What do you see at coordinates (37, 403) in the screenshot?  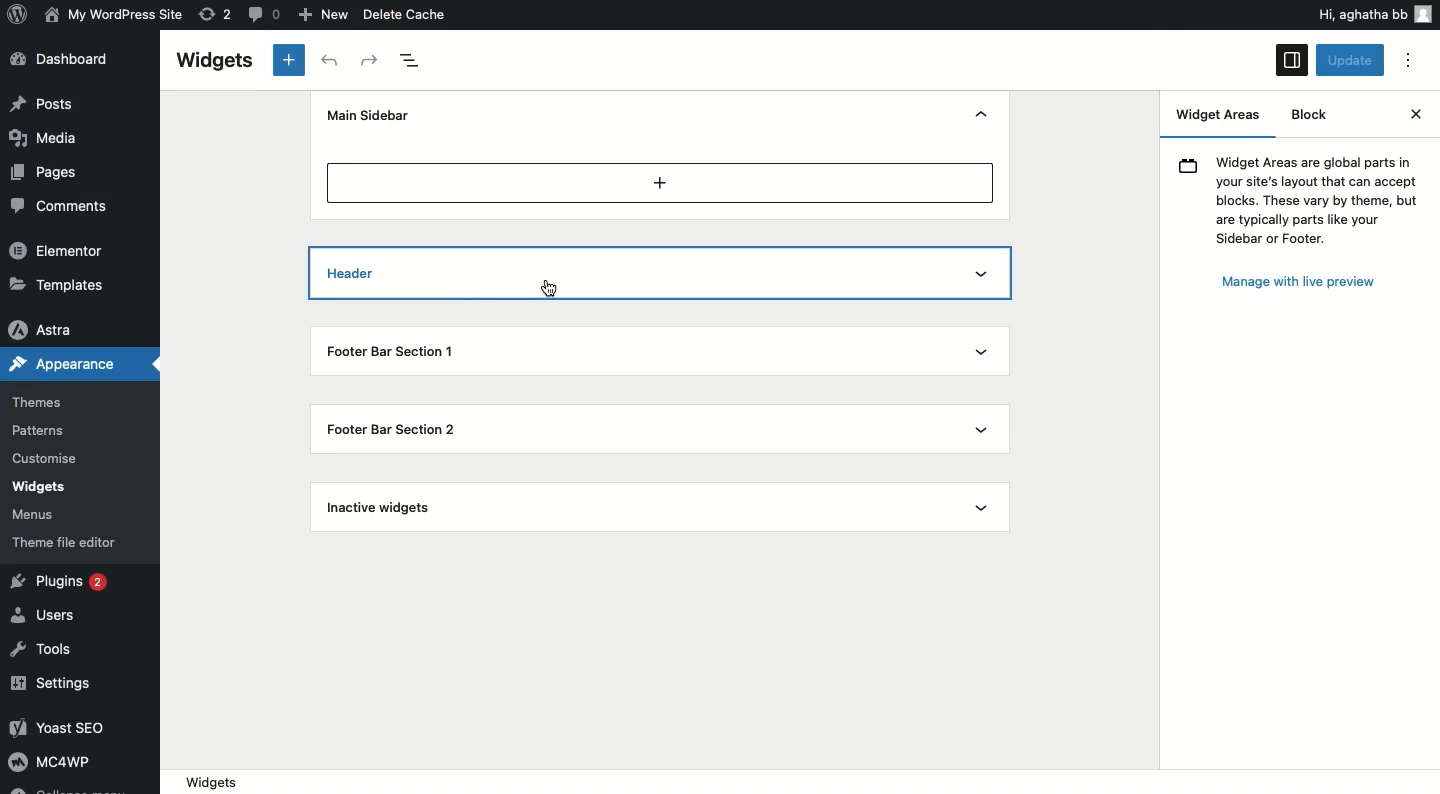 I see `Themes` at bounding box center [37, 403].